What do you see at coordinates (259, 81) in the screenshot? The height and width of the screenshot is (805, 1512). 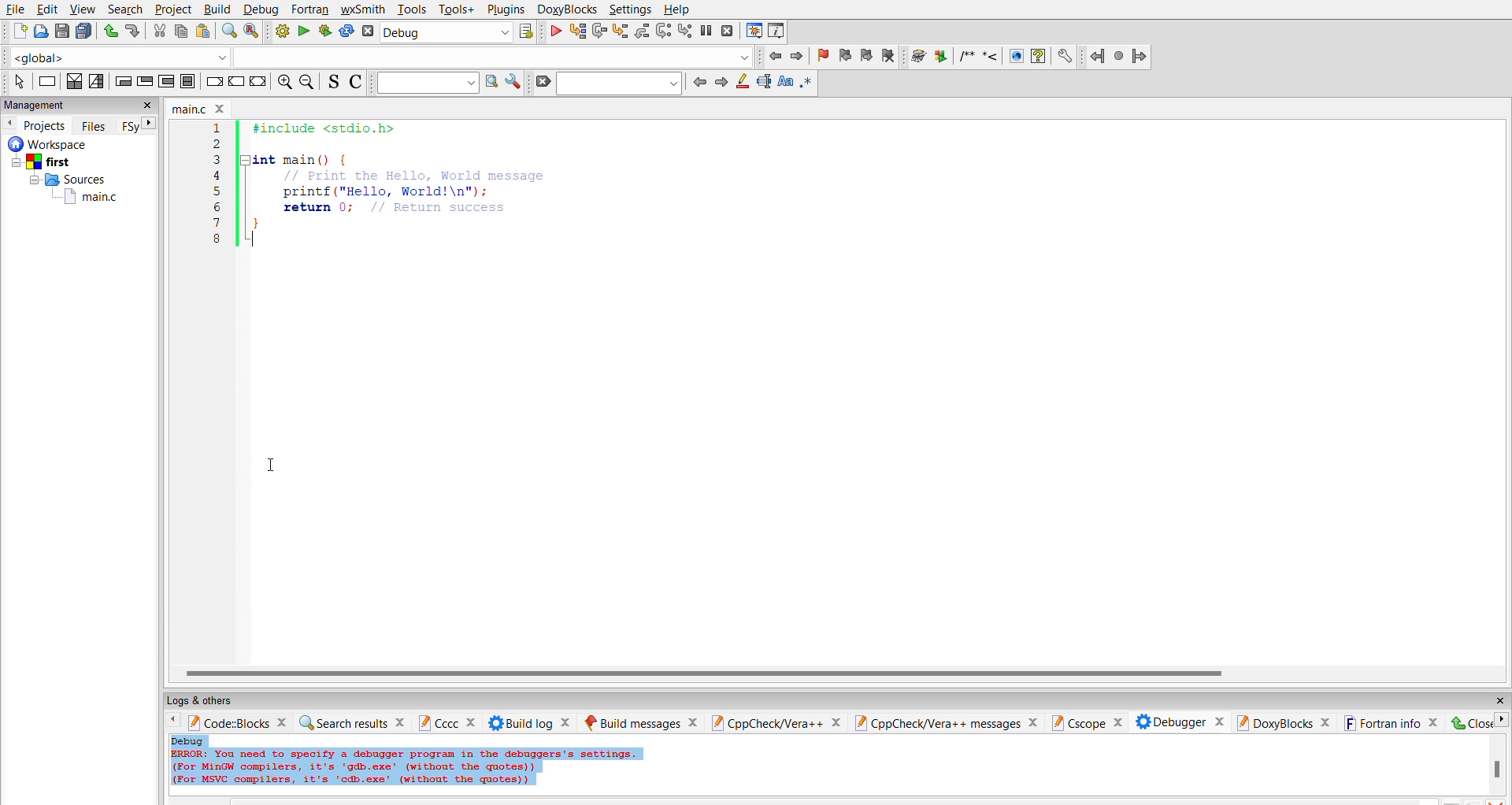 I see `return instruction` at bounding box center [259, 81].